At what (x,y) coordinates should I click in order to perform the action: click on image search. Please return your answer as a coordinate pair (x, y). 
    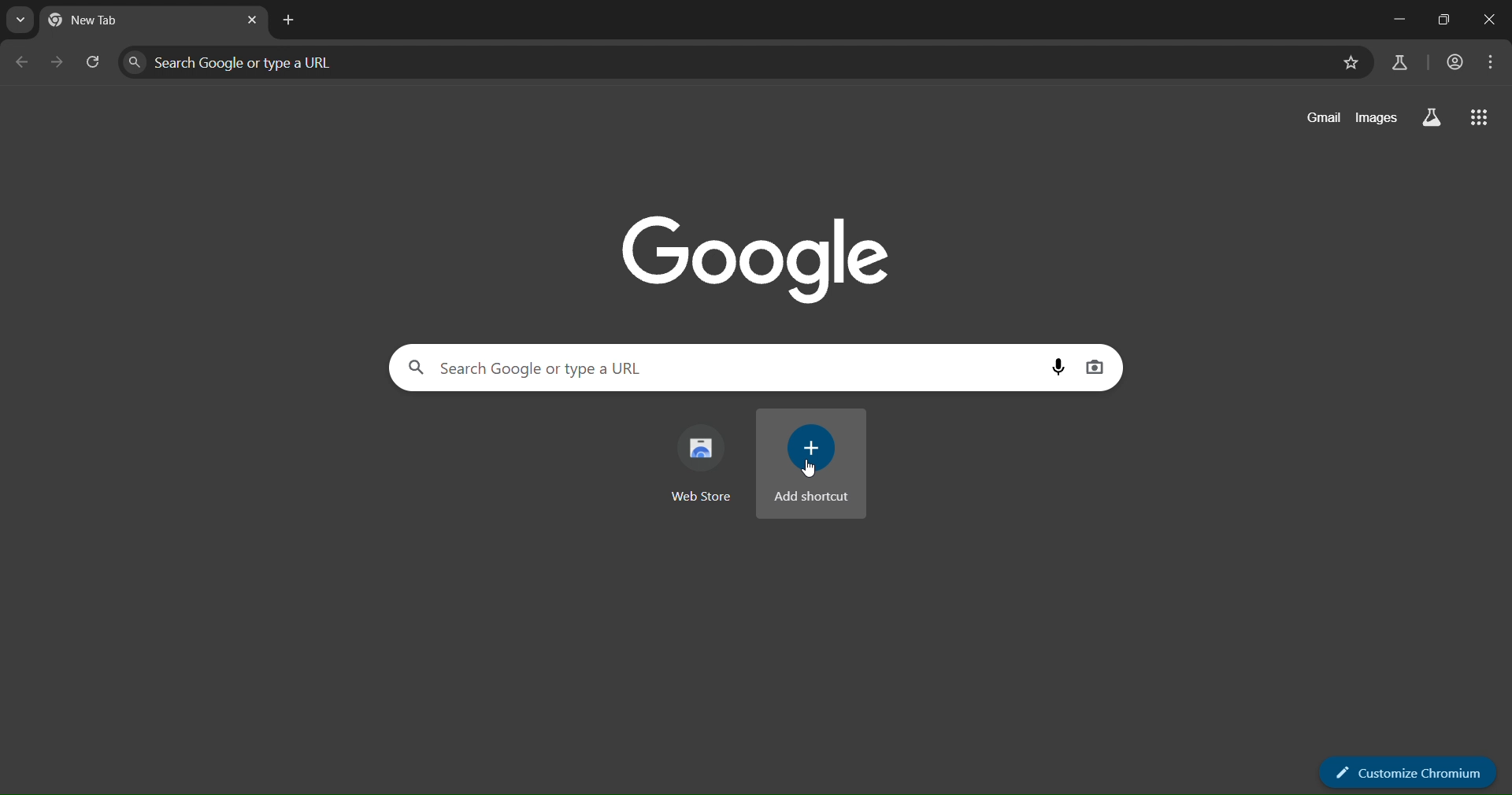
    Looking at the image, I should click on (1097, 364).